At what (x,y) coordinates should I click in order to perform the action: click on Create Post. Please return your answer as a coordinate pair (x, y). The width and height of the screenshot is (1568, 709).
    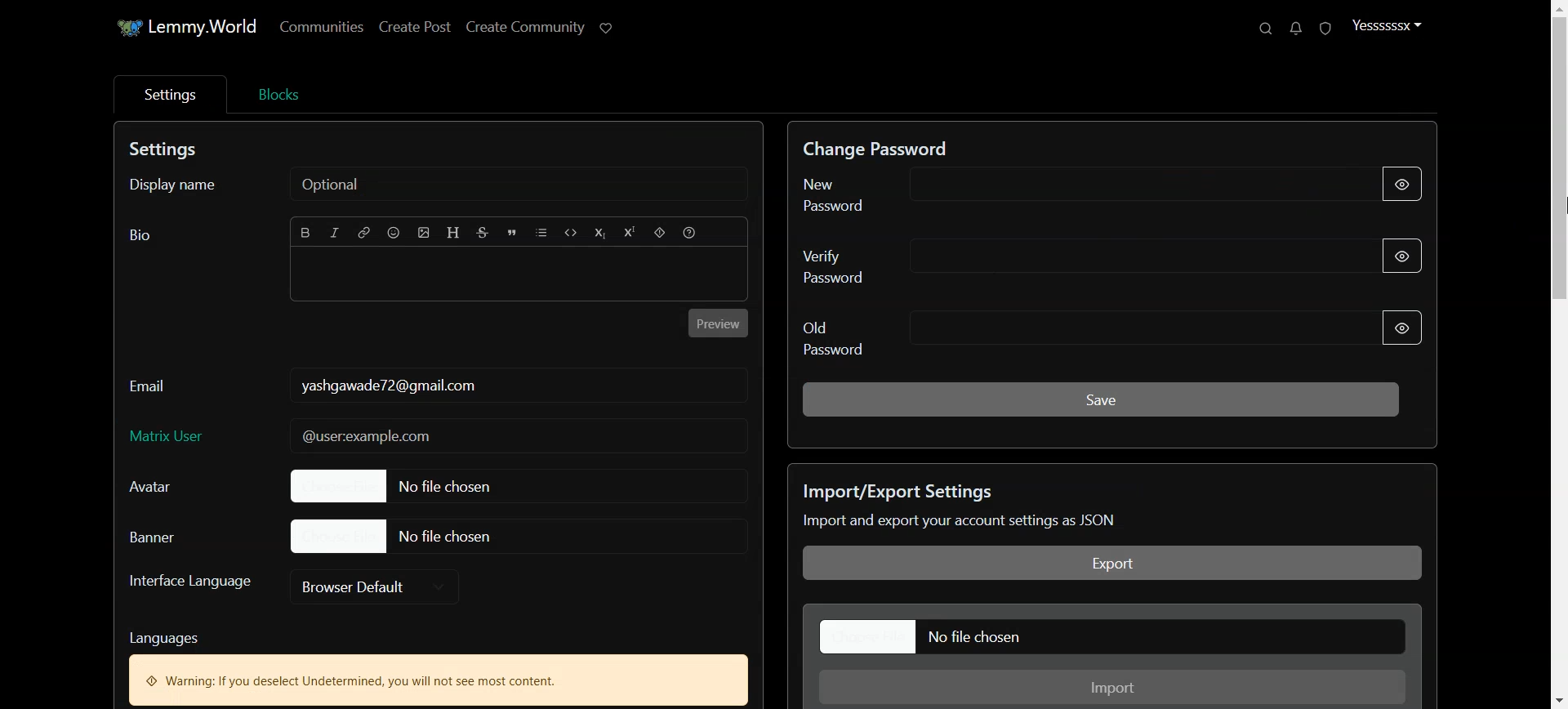
    Looking at the image, I should click on (415, 28).